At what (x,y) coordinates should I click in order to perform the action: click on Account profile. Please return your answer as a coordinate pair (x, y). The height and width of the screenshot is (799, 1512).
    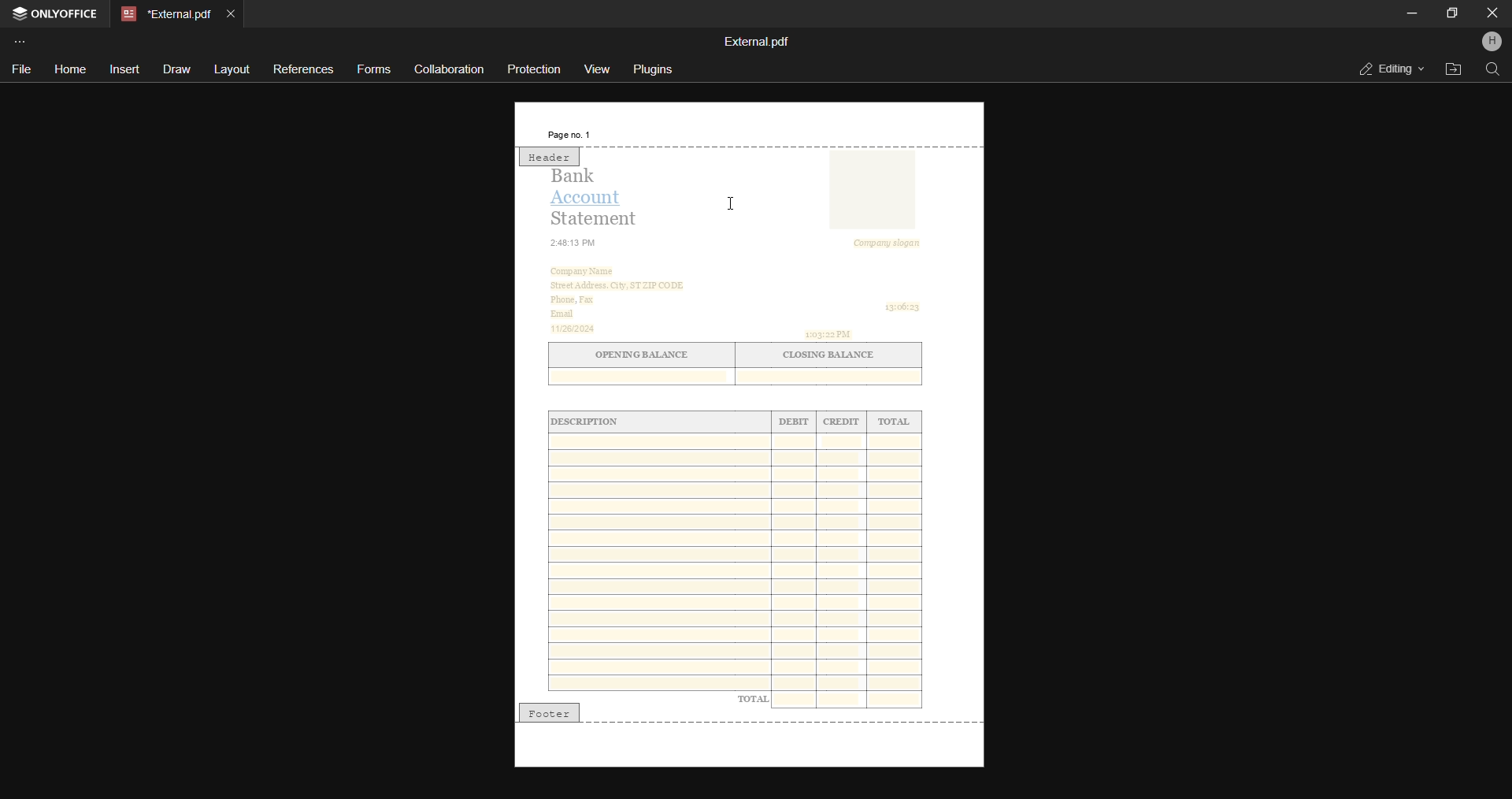
    Looking at the image, I should click on (1491, 43).